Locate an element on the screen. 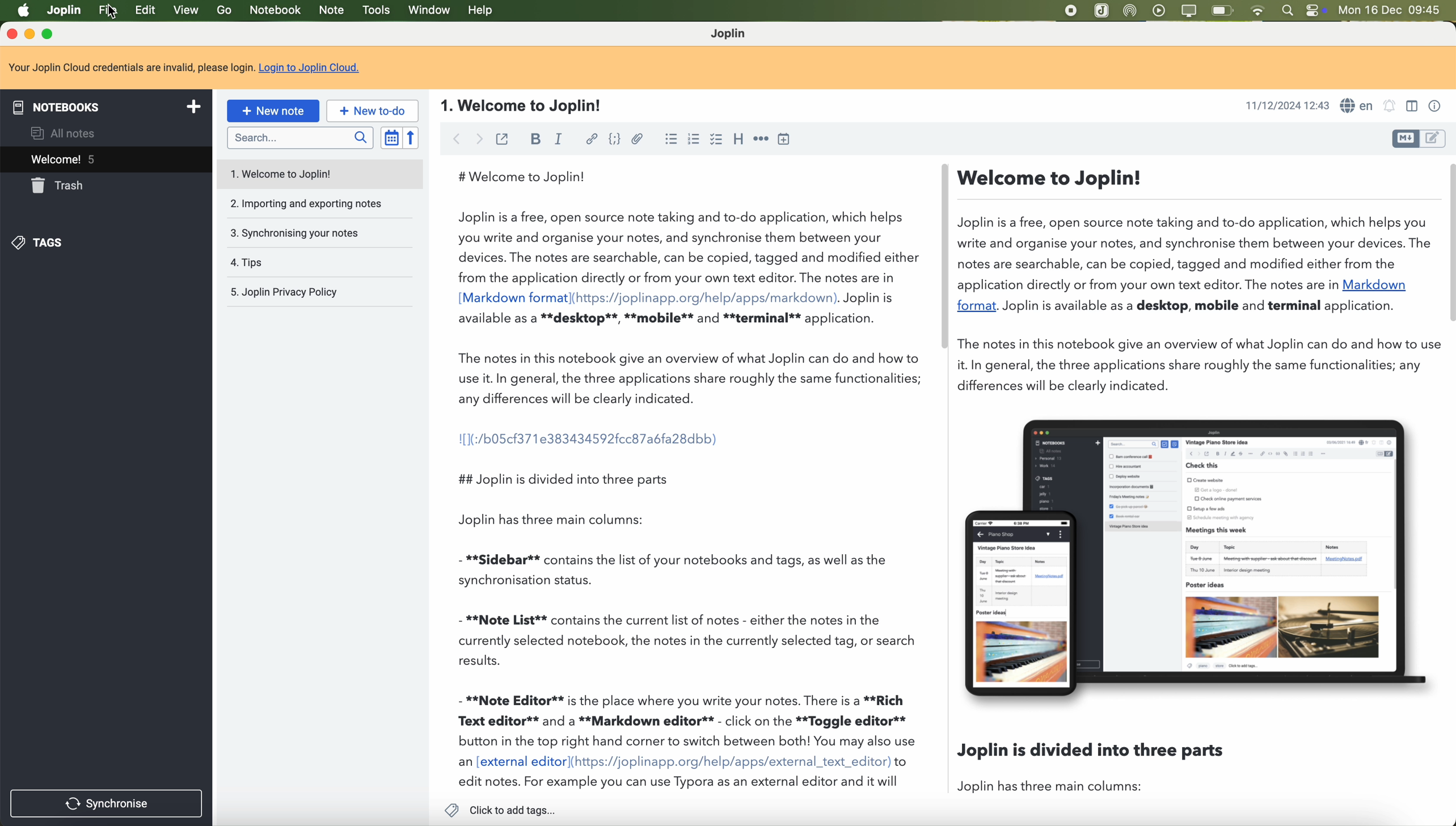 The height and width of the screenshot is (826, 1456). Airdrop is located at coordinates (1133, 11).